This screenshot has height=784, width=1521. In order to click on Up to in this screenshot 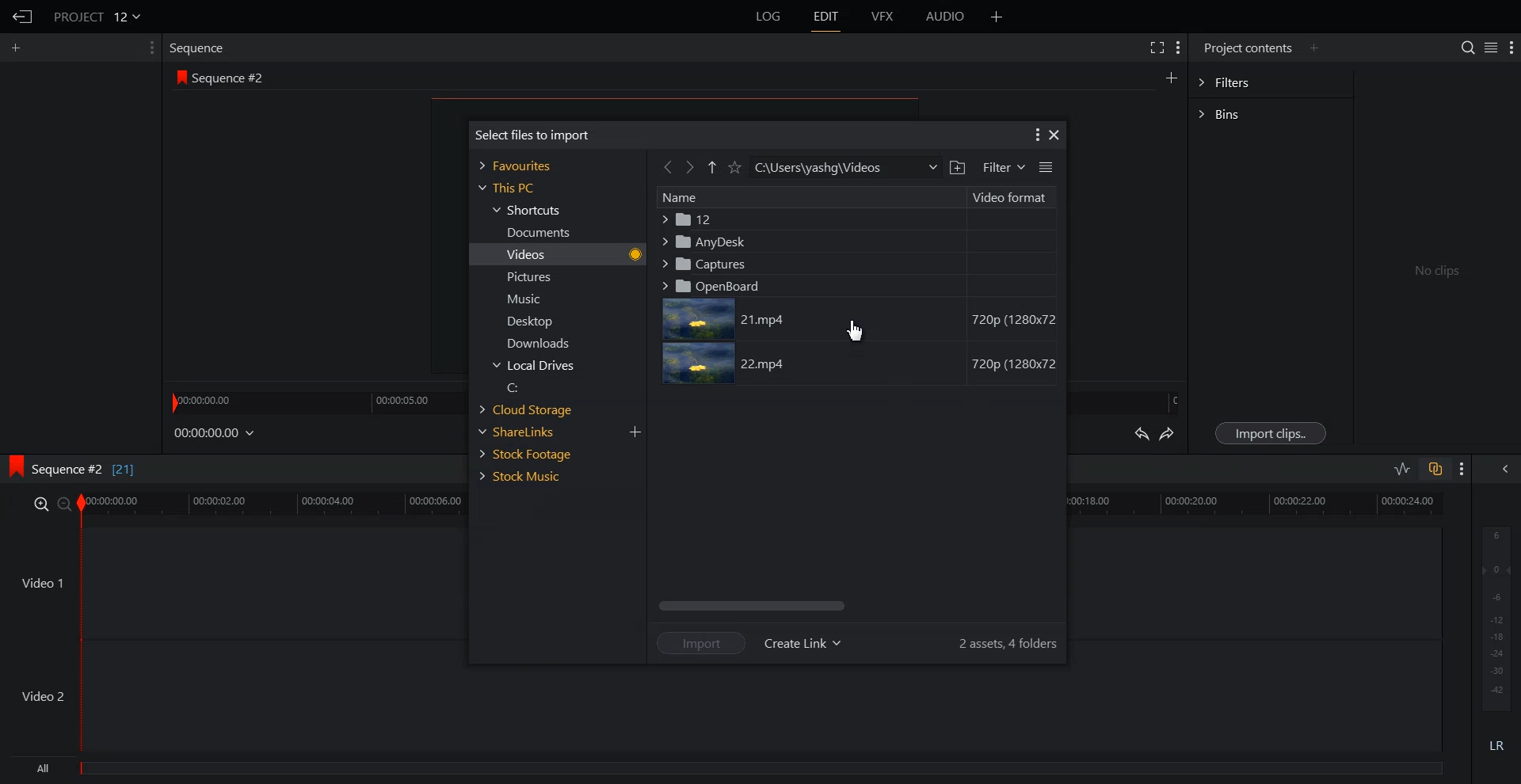, I will do `click(713, 166)`.